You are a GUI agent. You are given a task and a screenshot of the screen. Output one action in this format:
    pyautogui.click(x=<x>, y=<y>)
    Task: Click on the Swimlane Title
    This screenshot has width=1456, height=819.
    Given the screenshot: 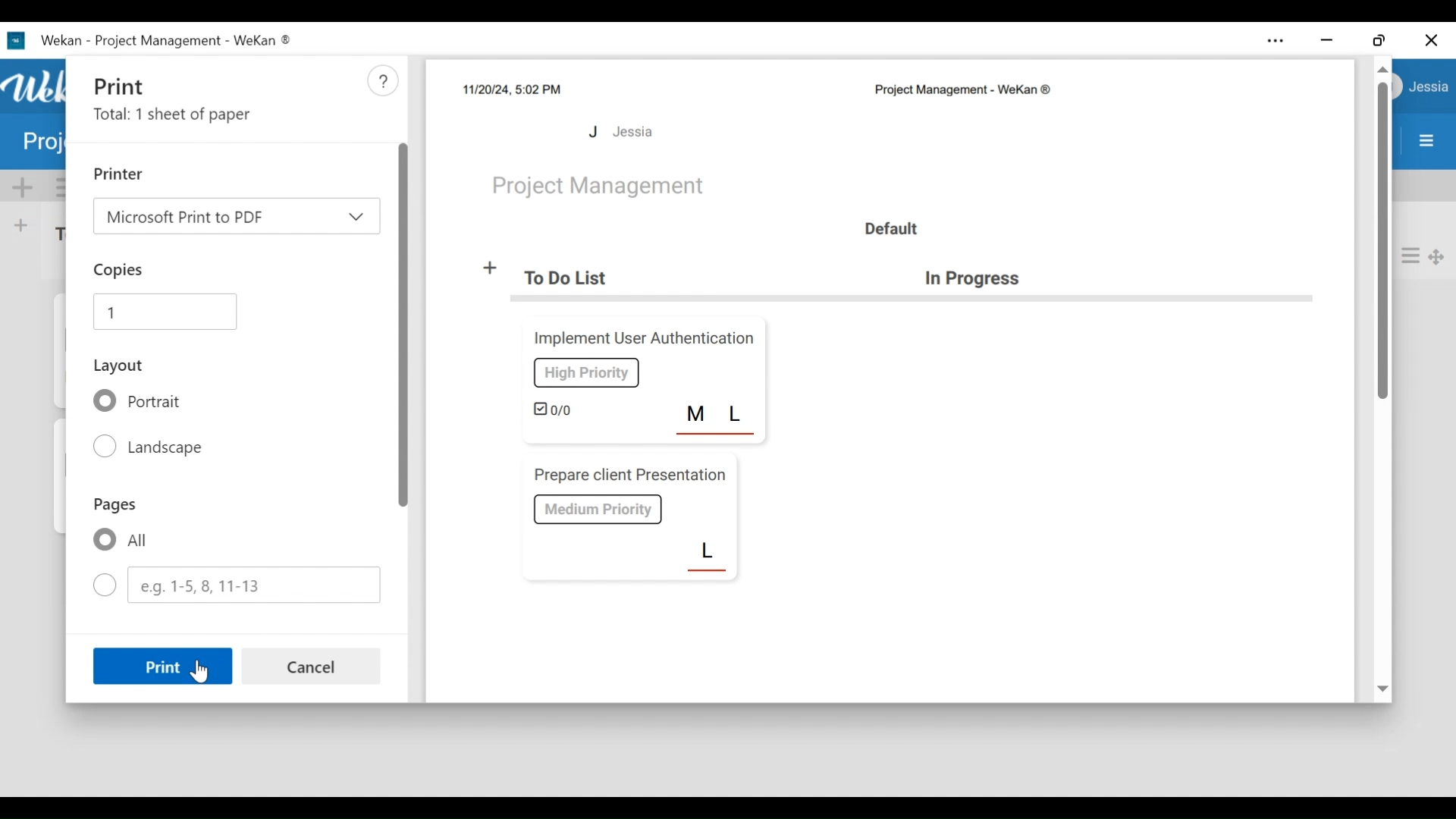 What is the action you would take?
    pyautogui.click(x=890, y=228)
    